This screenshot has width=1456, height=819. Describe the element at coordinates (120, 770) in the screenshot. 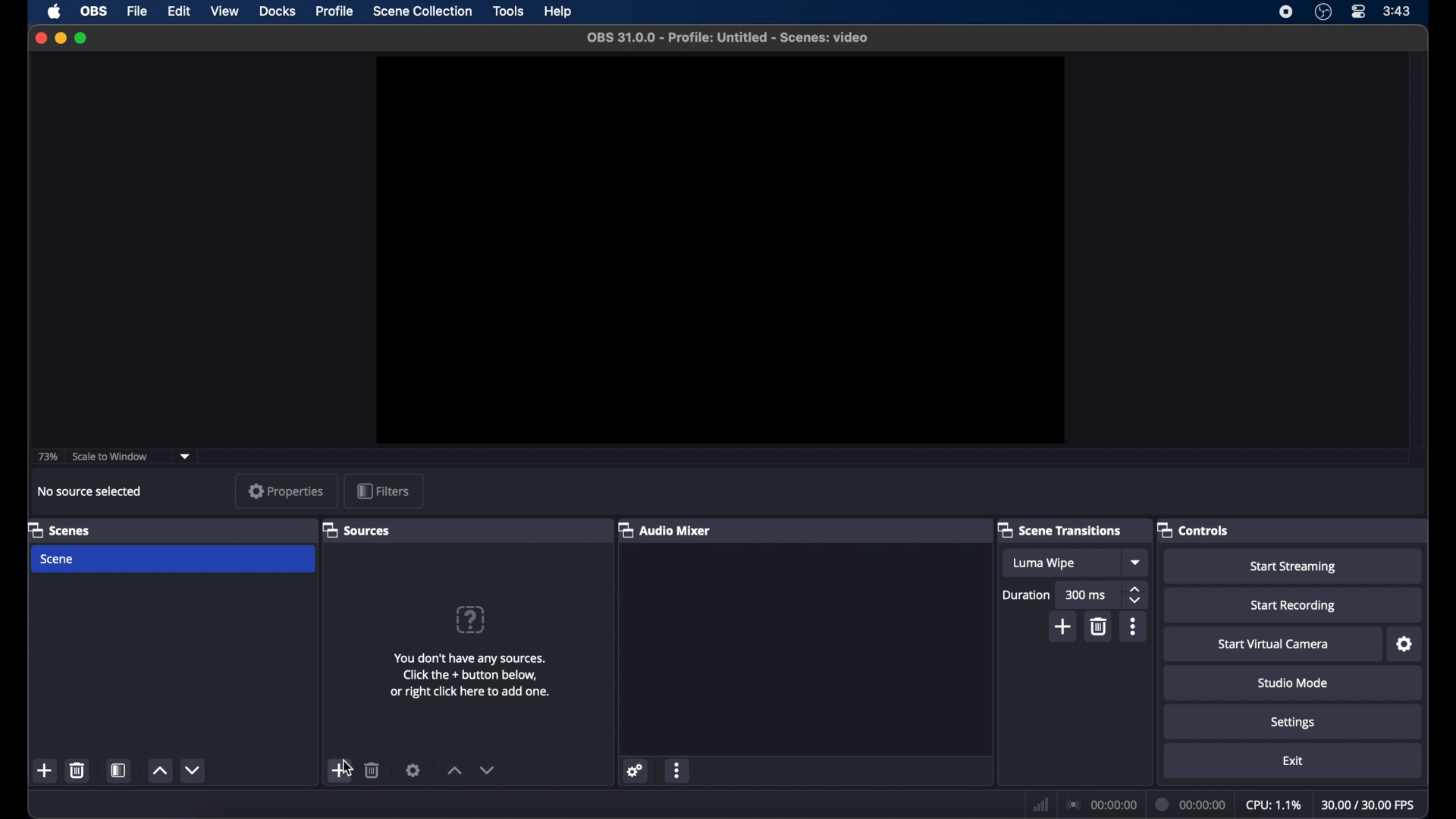

I see `scene filters` at that location.